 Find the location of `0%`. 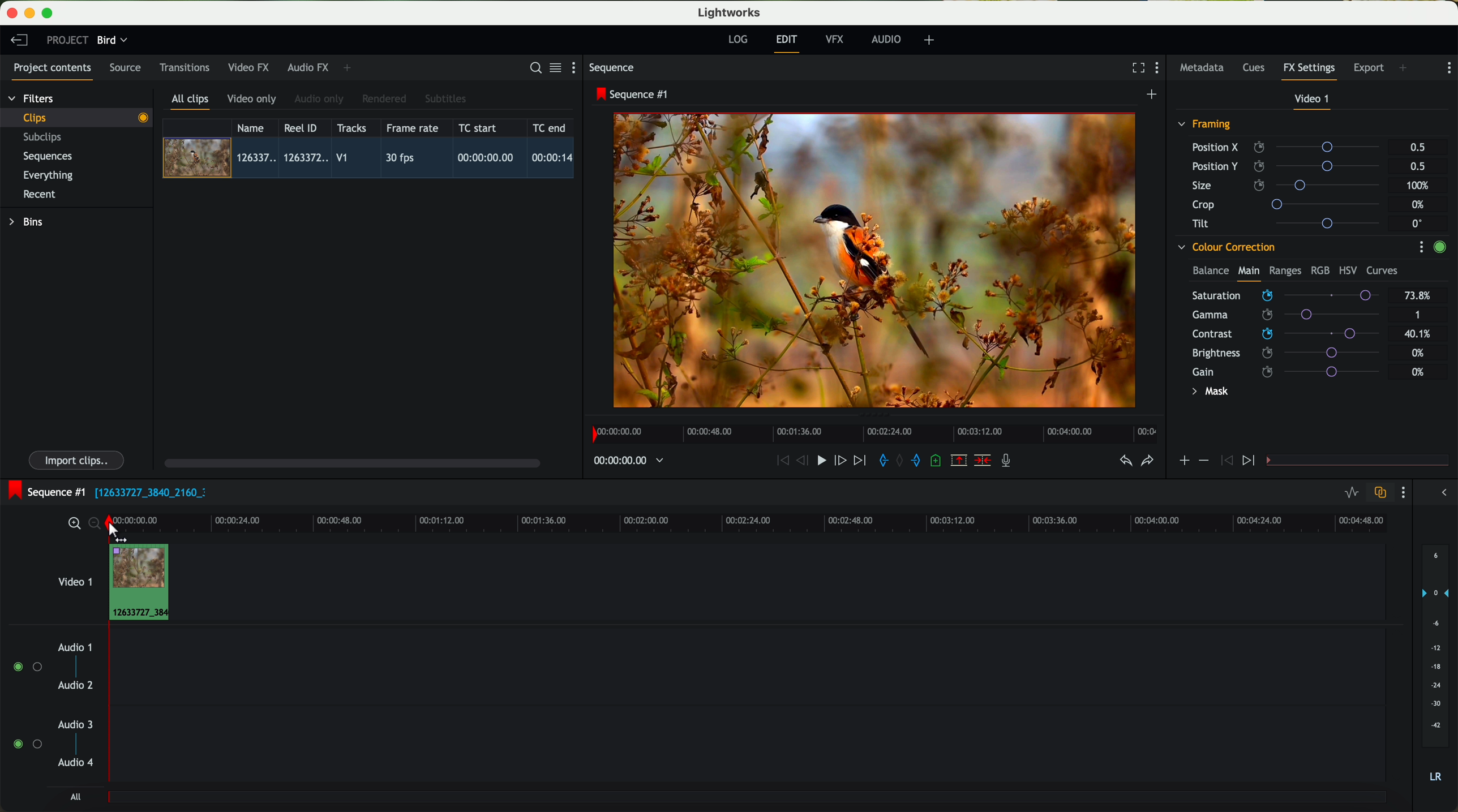

0% is located at coordinates (1418, 351).